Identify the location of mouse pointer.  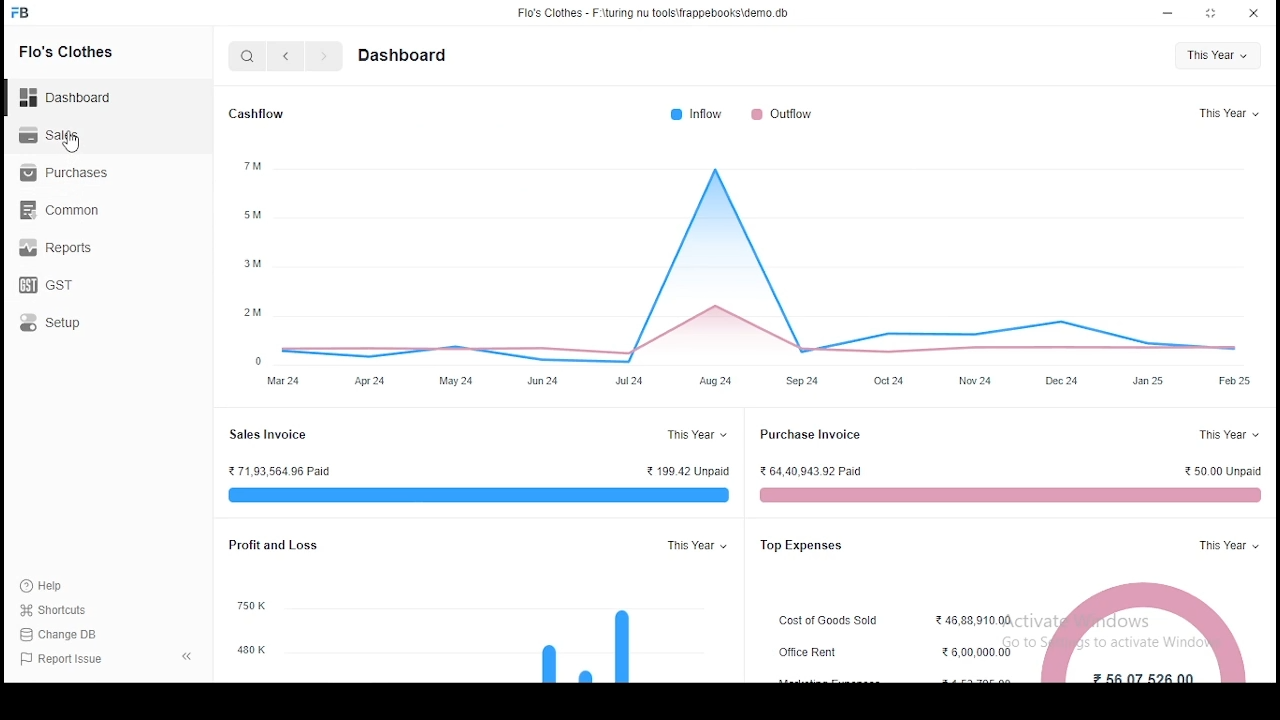
(73, 145).